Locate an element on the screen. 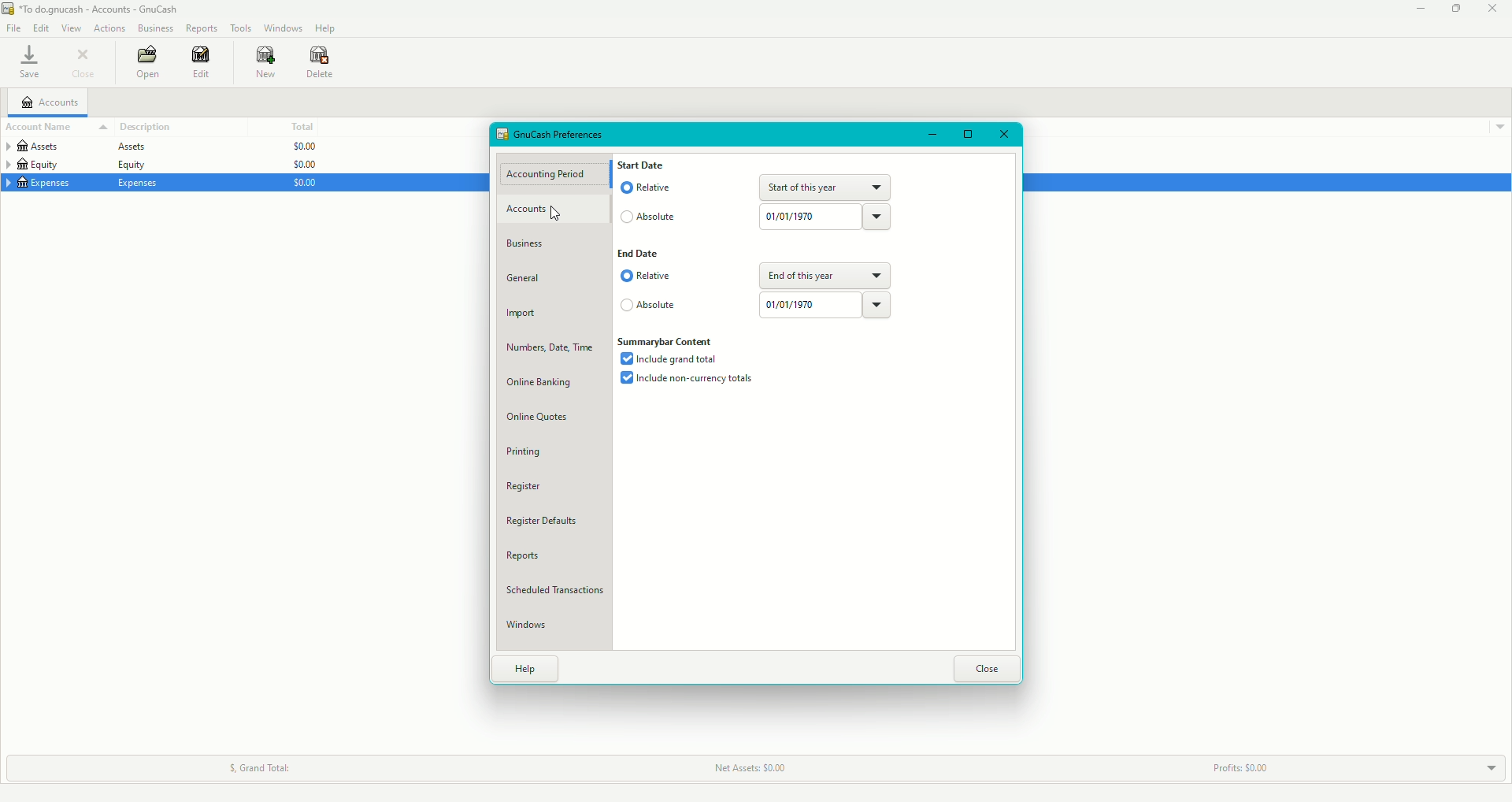  Accounting period is located at coordinates (551, 175).